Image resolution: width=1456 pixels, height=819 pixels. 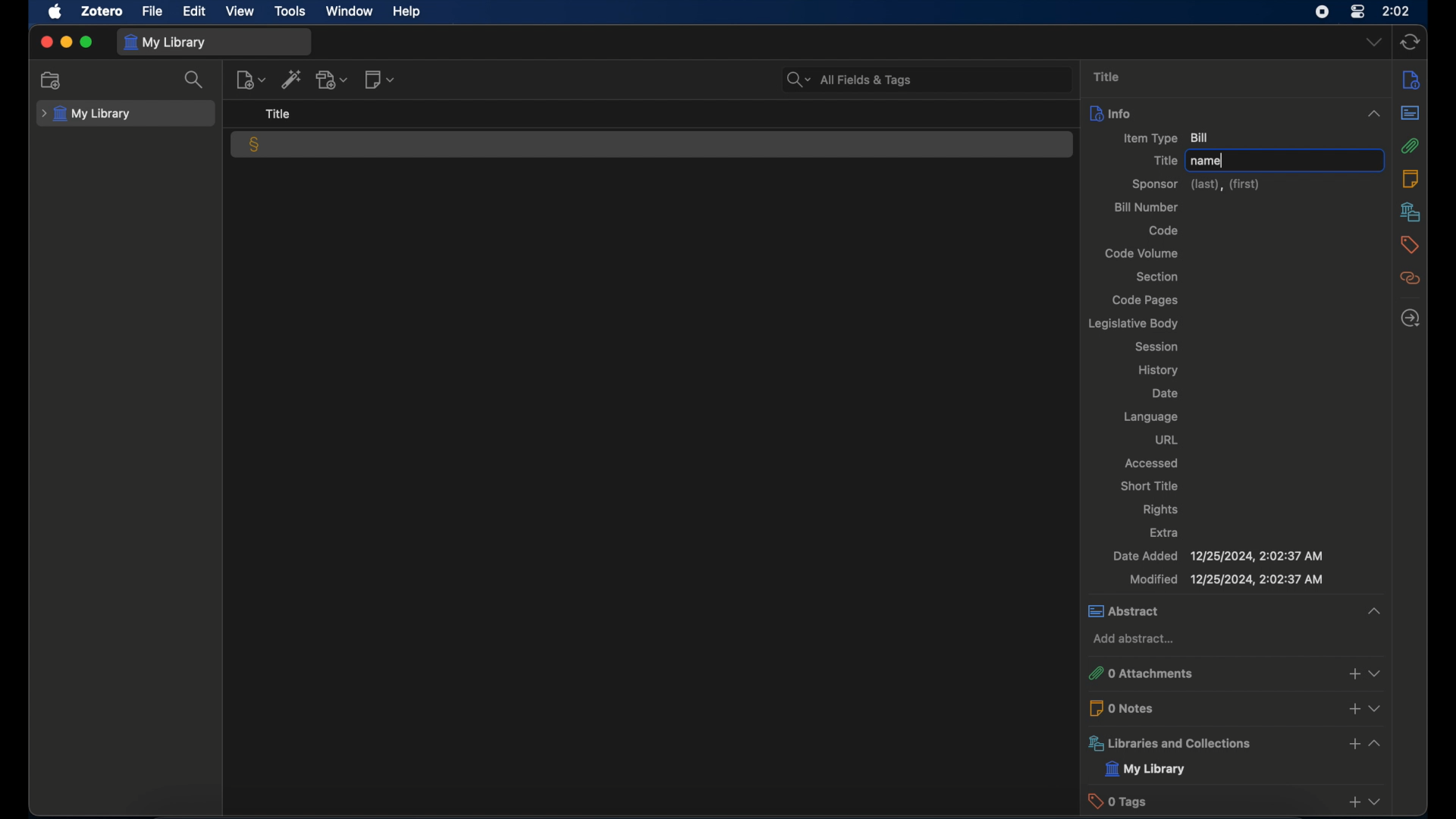 I want to click on short title, so click(x=1150, y=485).